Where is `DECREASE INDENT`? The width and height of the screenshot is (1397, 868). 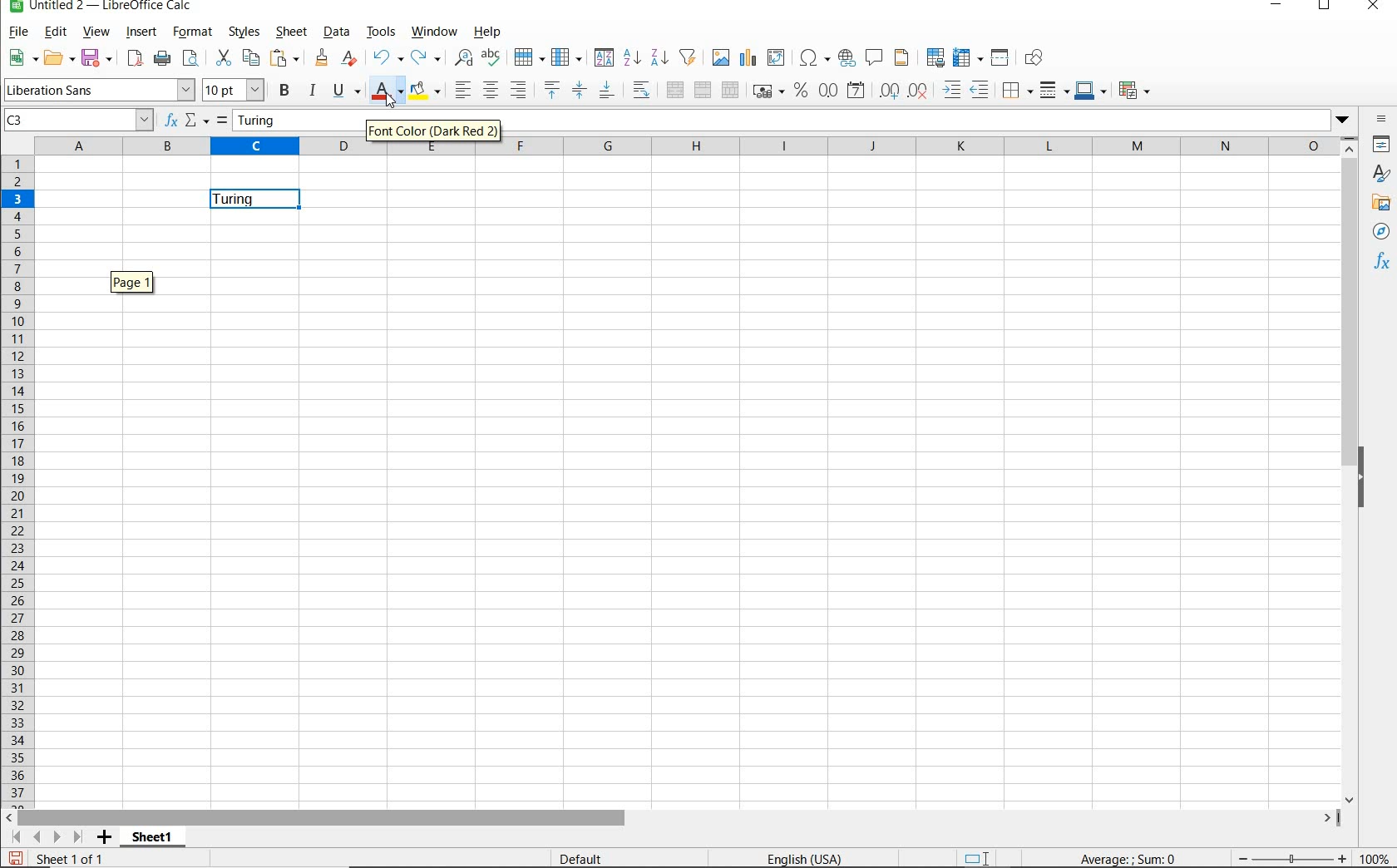 DECREASE INDENT is located at coordinates (980, 87).